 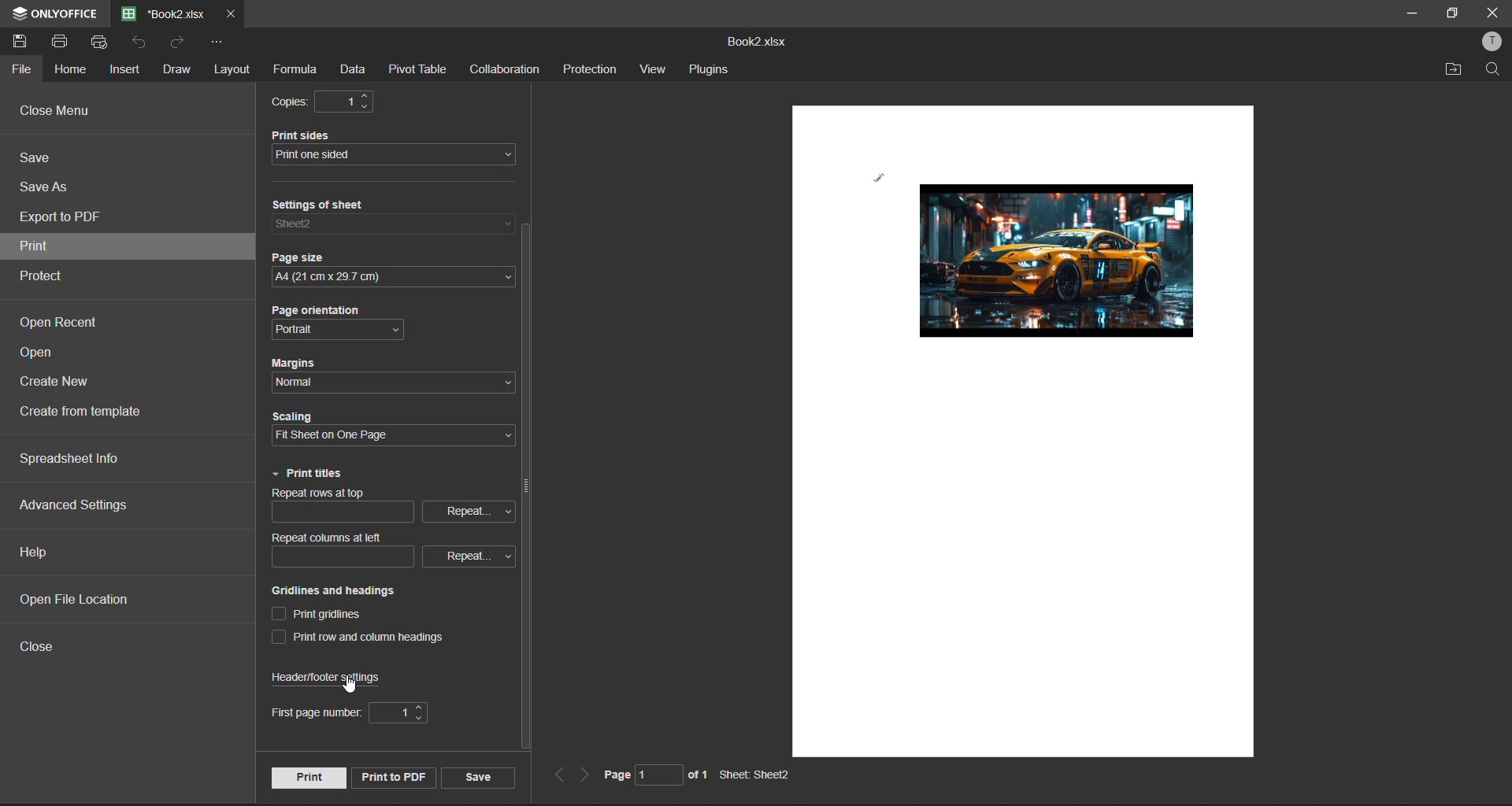 What do you see at coordinates (350, 591) in the screenshot?
I see `gridlines and headings` at bounding box center [350, 591].